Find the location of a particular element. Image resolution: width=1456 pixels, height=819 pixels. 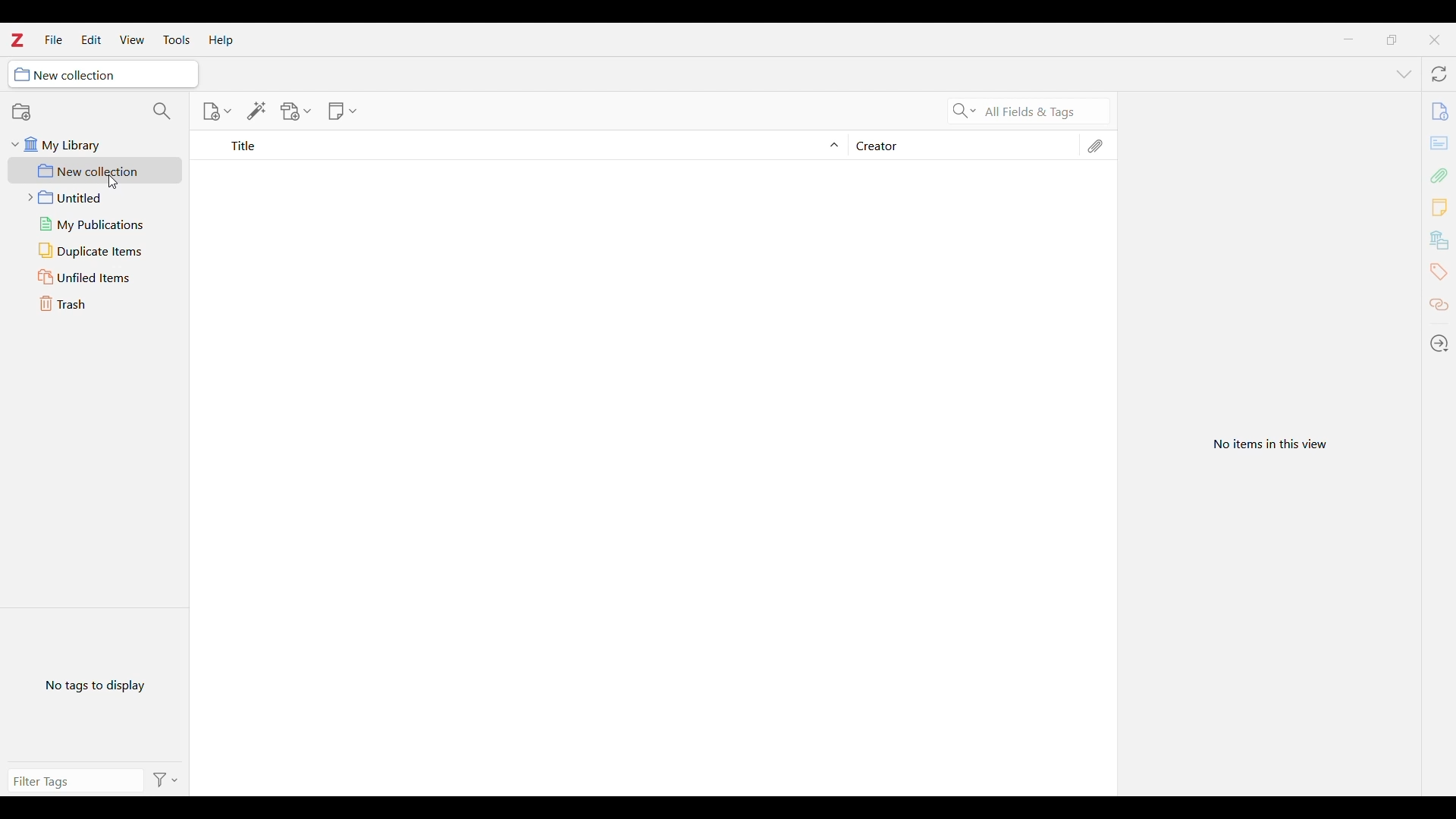

Trash folder is located at coordinates (95, 303).